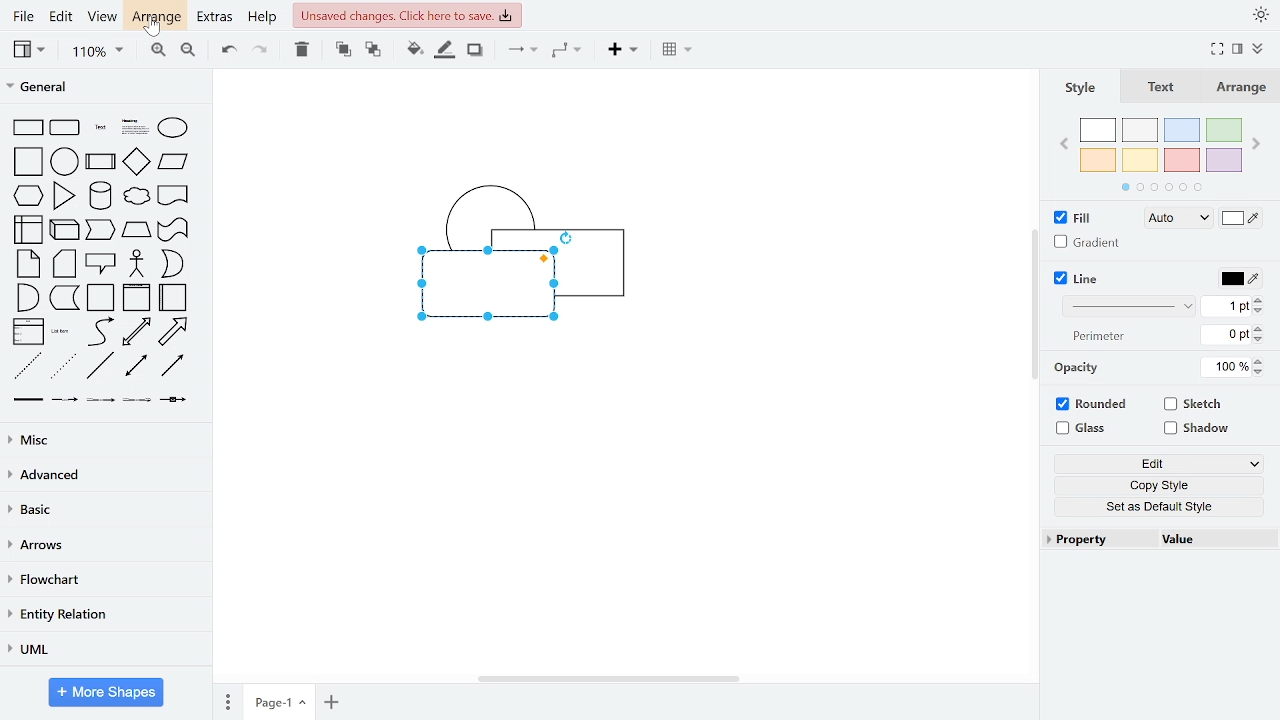  What do you see at coordinates (66, 231) in the screenshot?
I see `cube` at bounding box center [66, 231].